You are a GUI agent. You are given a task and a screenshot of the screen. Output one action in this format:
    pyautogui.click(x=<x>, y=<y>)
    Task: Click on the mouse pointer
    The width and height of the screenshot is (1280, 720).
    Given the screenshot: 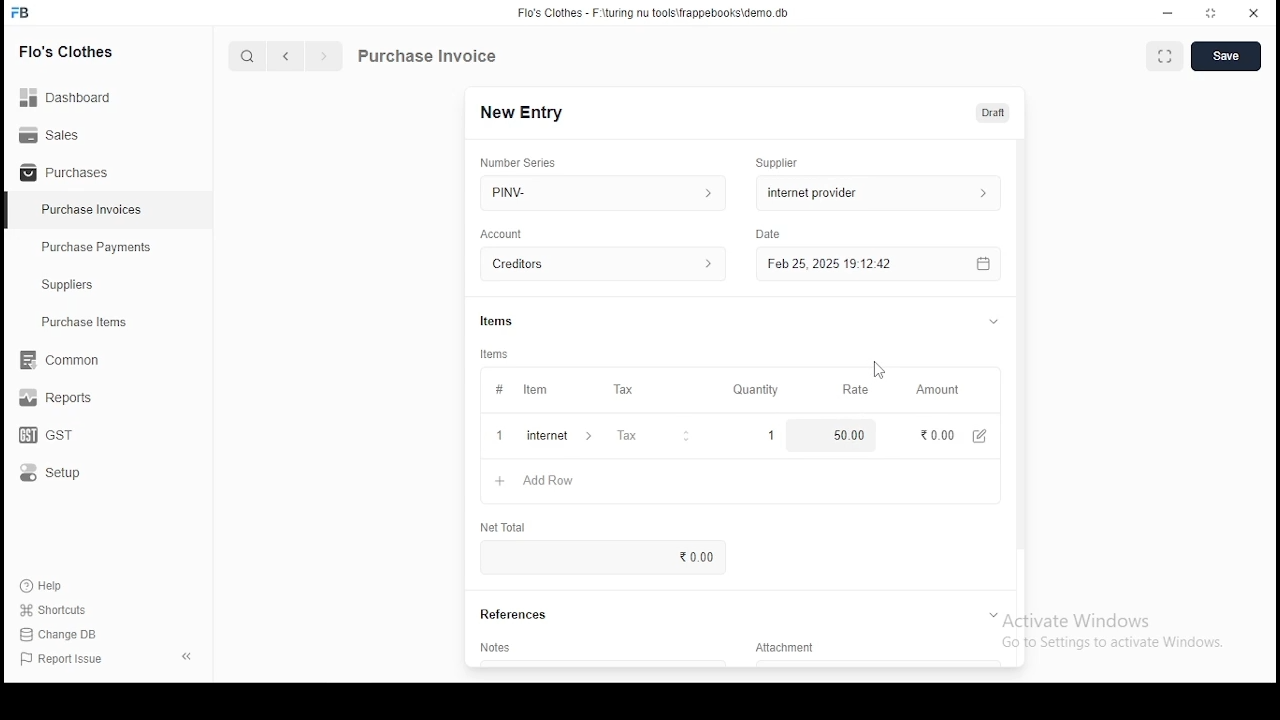 What is the action you would take?
    pyautogui.click(x=878, y=371)
    